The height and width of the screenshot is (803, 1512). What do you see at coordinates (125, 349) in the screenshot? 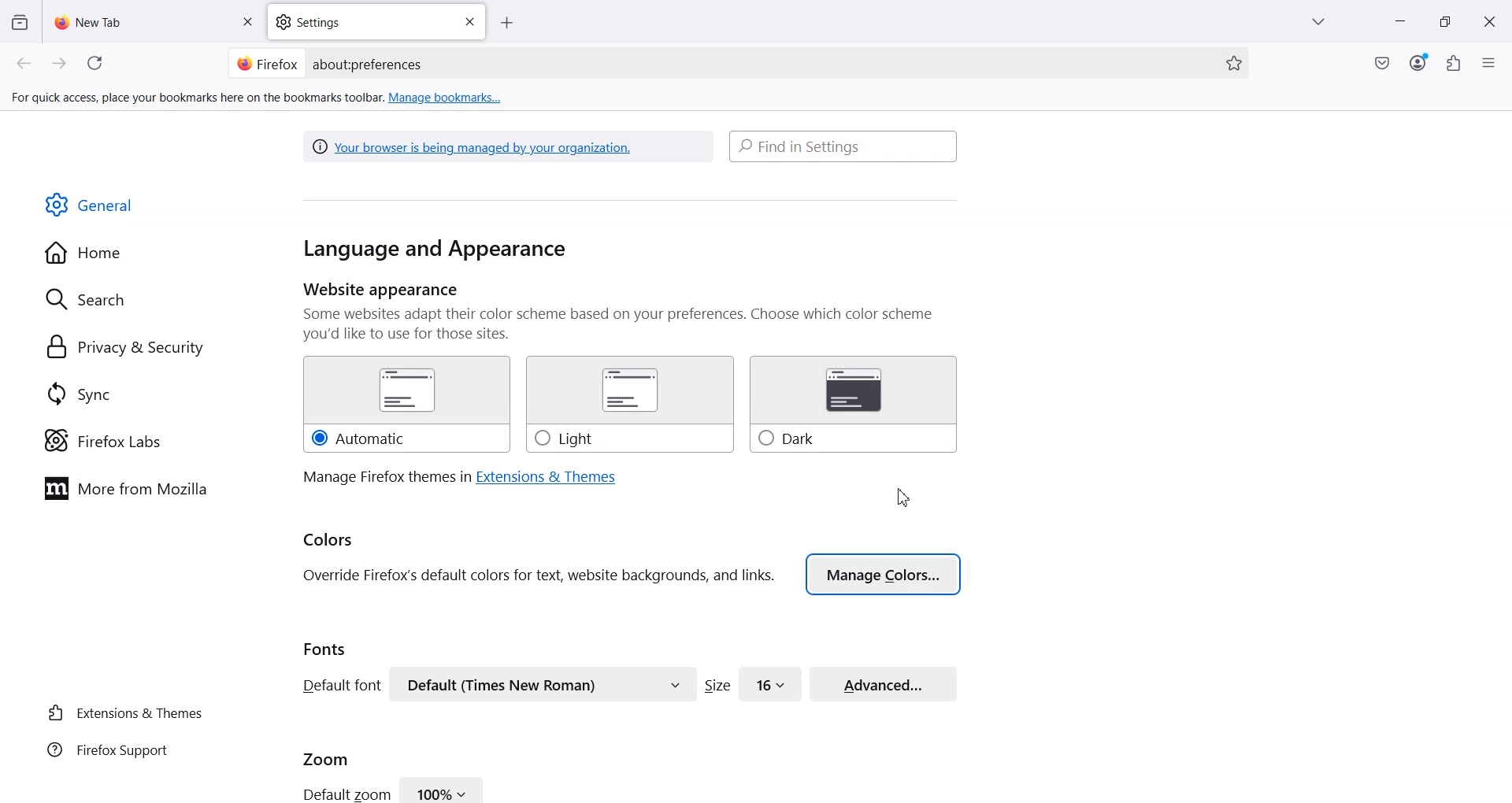
I see `8 Privacy & Security` at bounding box center [125, 349].